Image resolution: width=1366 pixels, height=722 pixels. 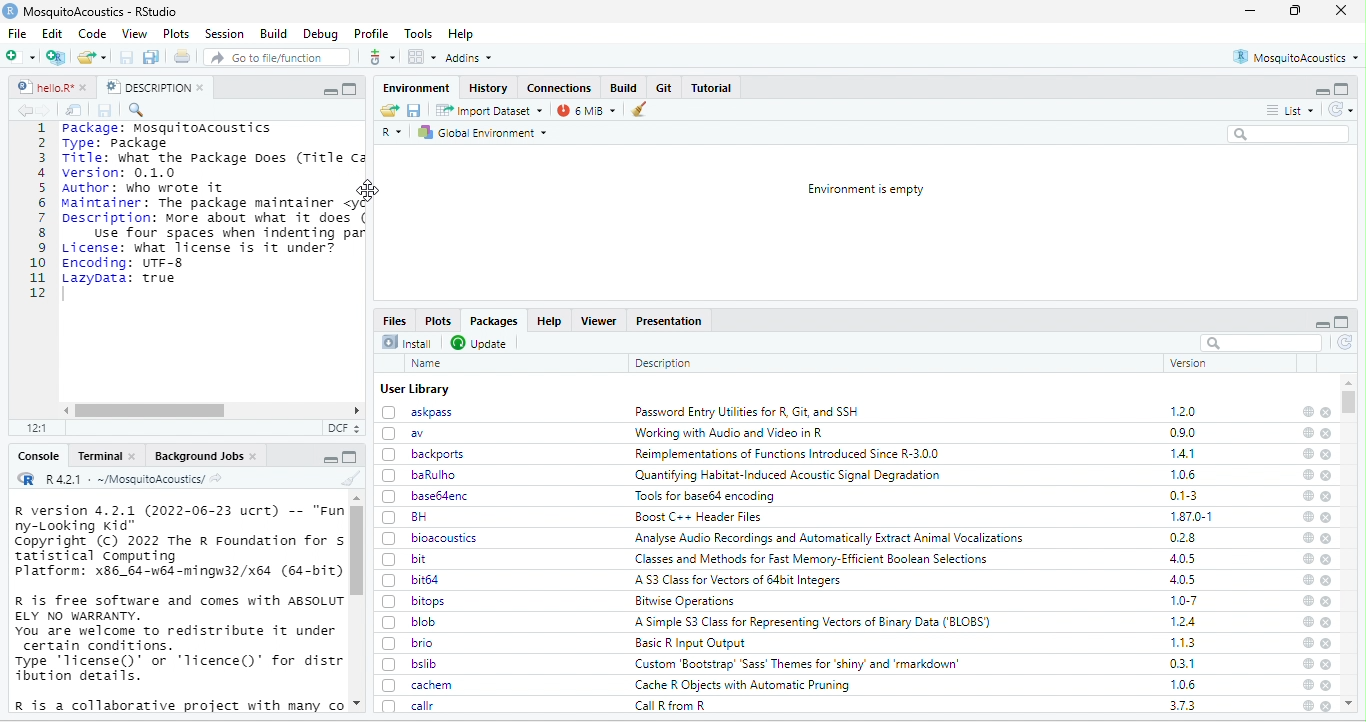 I want to click on Description, so click(x=663, y=363).